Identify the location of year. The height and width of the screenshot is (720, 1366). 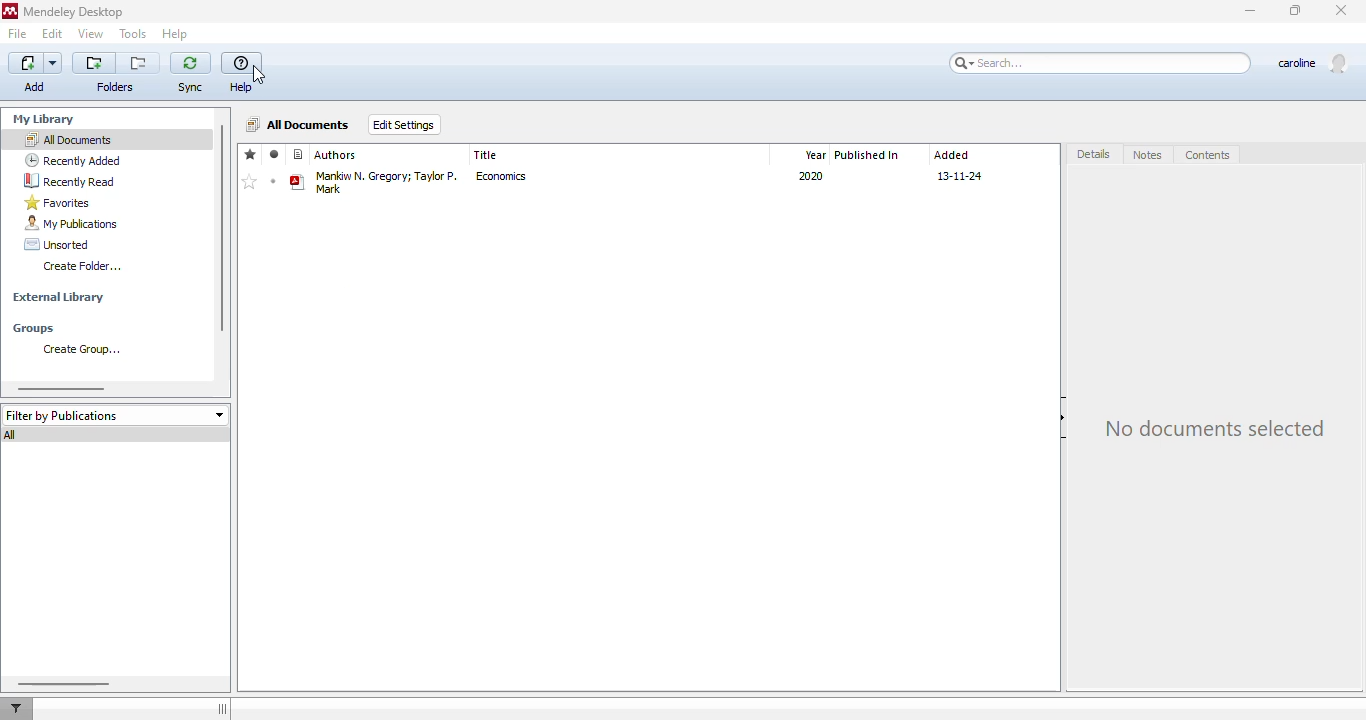
(814, 155).